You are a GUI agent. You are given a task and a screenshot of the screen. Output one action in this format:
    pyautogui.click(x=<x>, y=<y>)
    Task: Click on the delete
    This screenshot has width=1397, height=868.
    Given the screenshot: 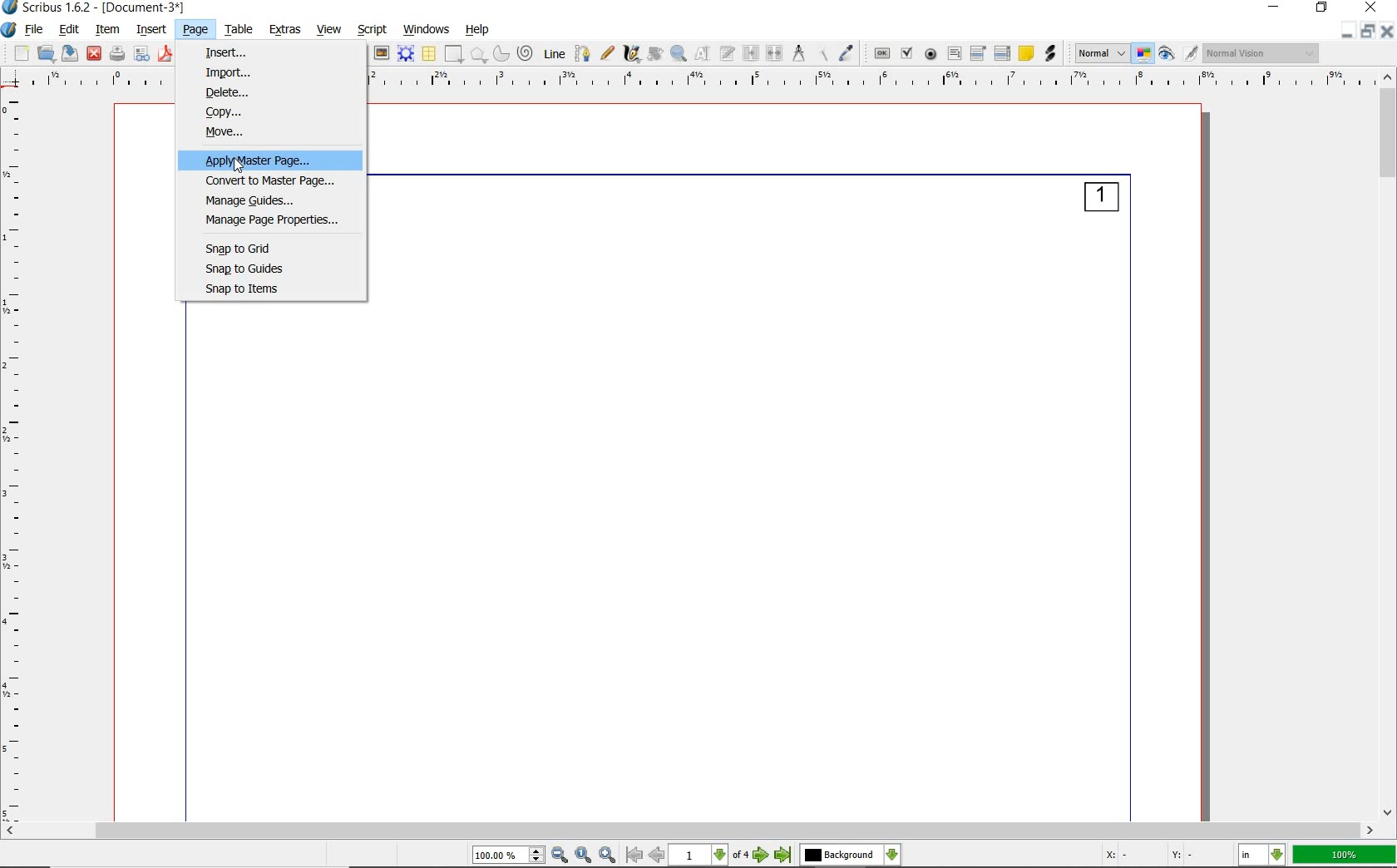 What is the action you would take?
    pyautogui.click(x=233, y=93)
    